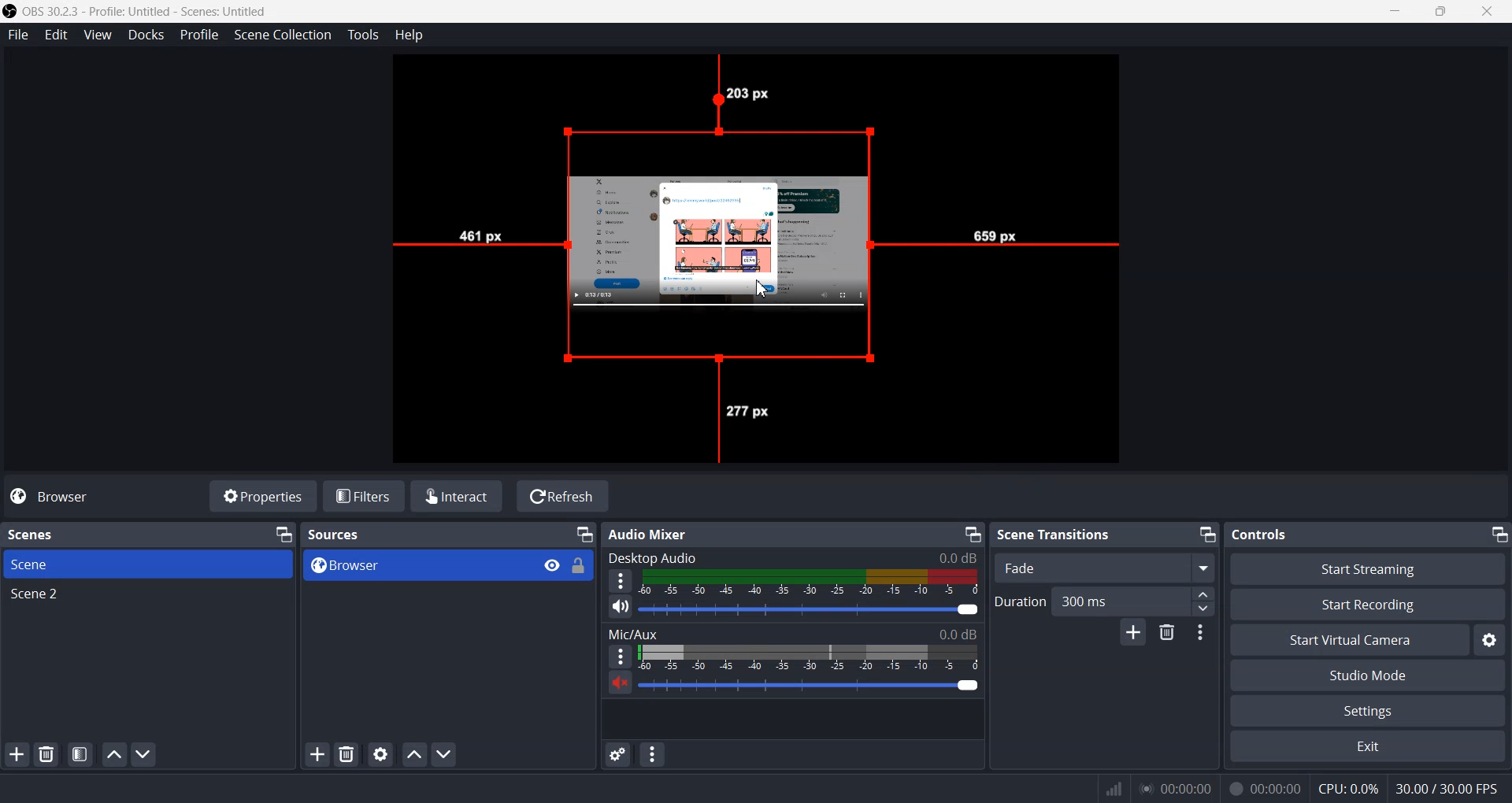  Describe the element at coordinates (149, 564) in the screenshot. I see `Scene` at that location.